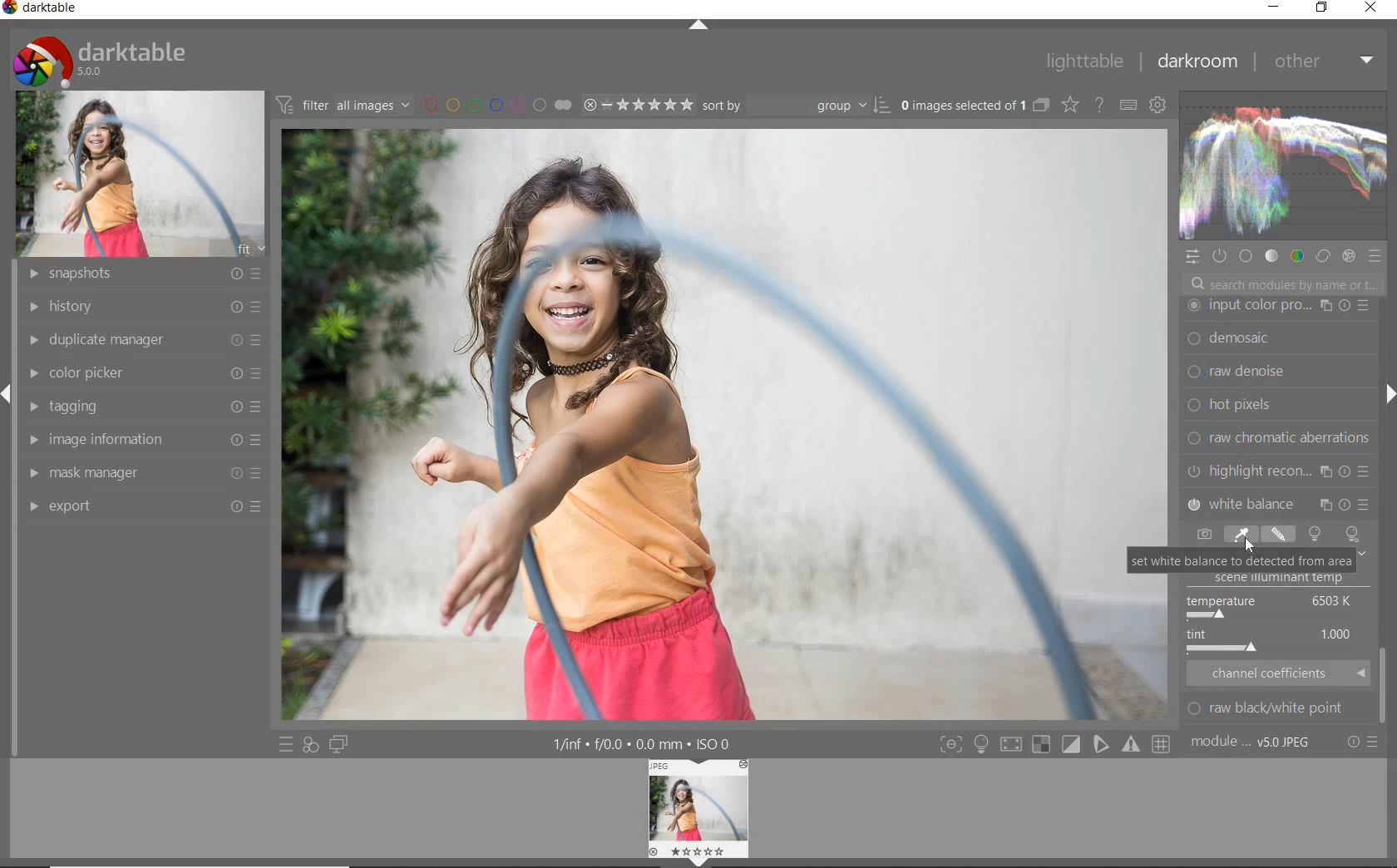  Describe the element at coordinates (1275, 534) in the screenshot. I see `TOOLS TO CHANGE WHITE BALANCE` at that location.